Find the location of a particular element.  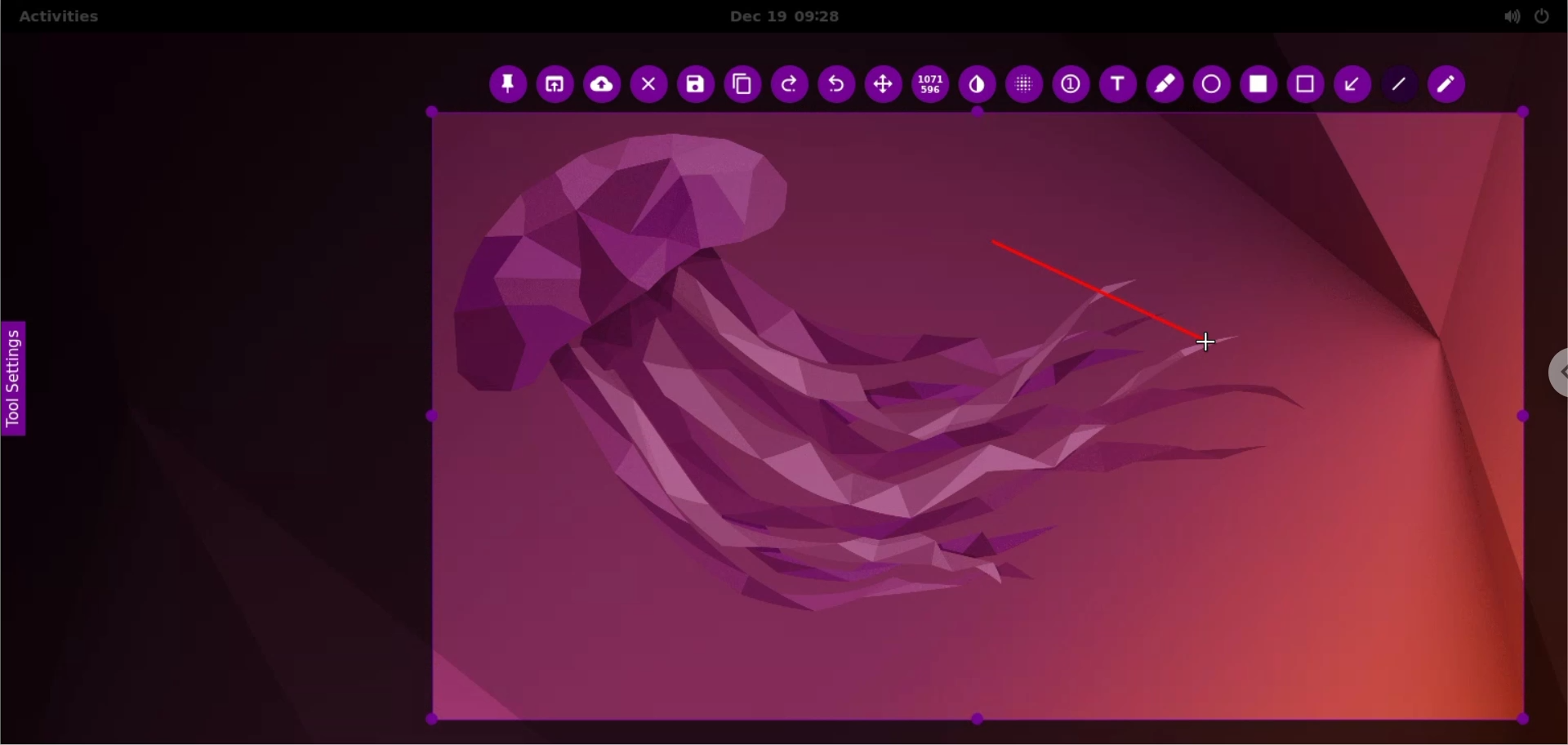

text is located at coordinates (1114, 84).